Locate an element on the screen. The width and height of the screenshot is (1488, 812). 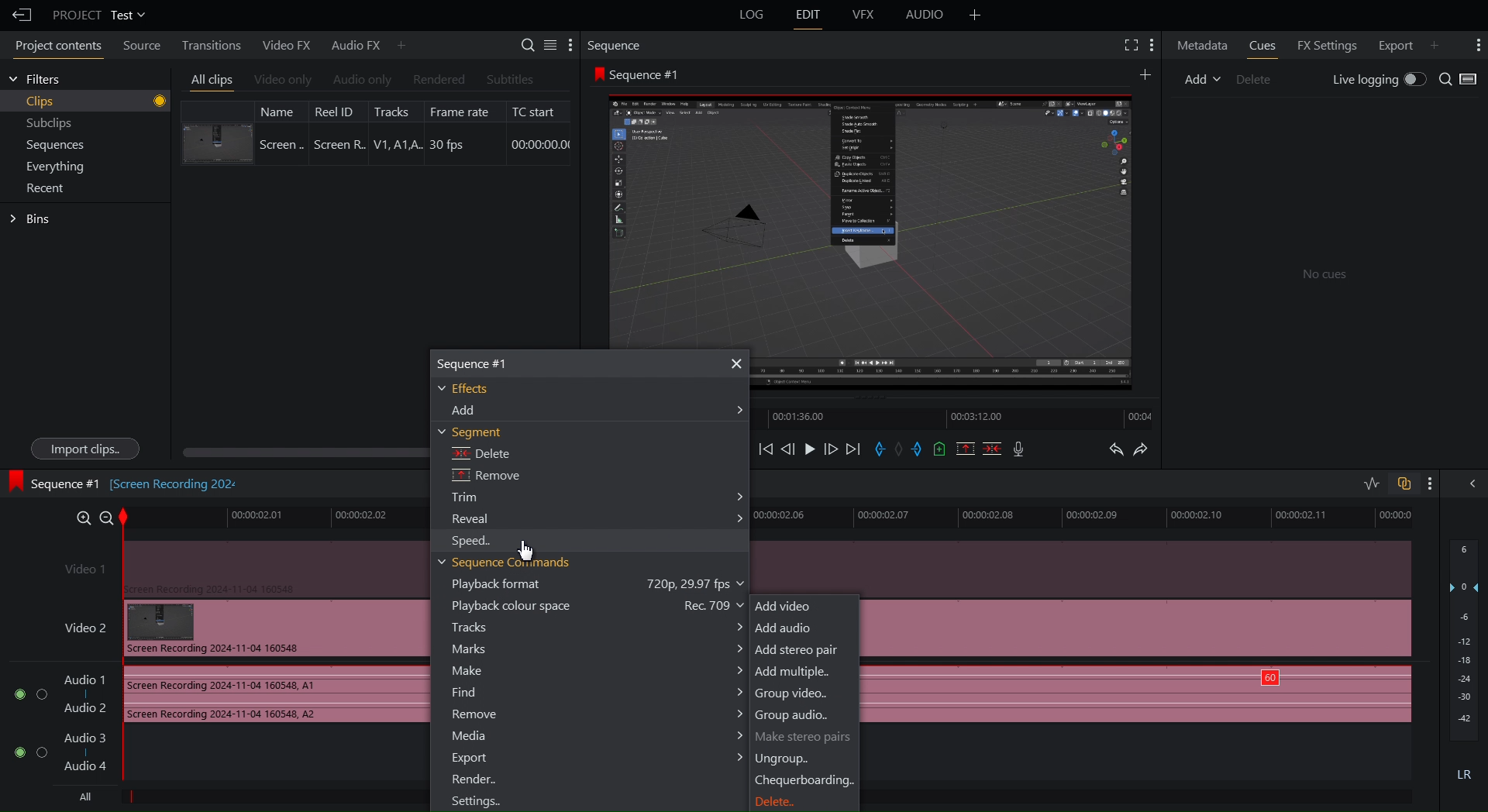
Metadata is located at coordinates (1203, 44).